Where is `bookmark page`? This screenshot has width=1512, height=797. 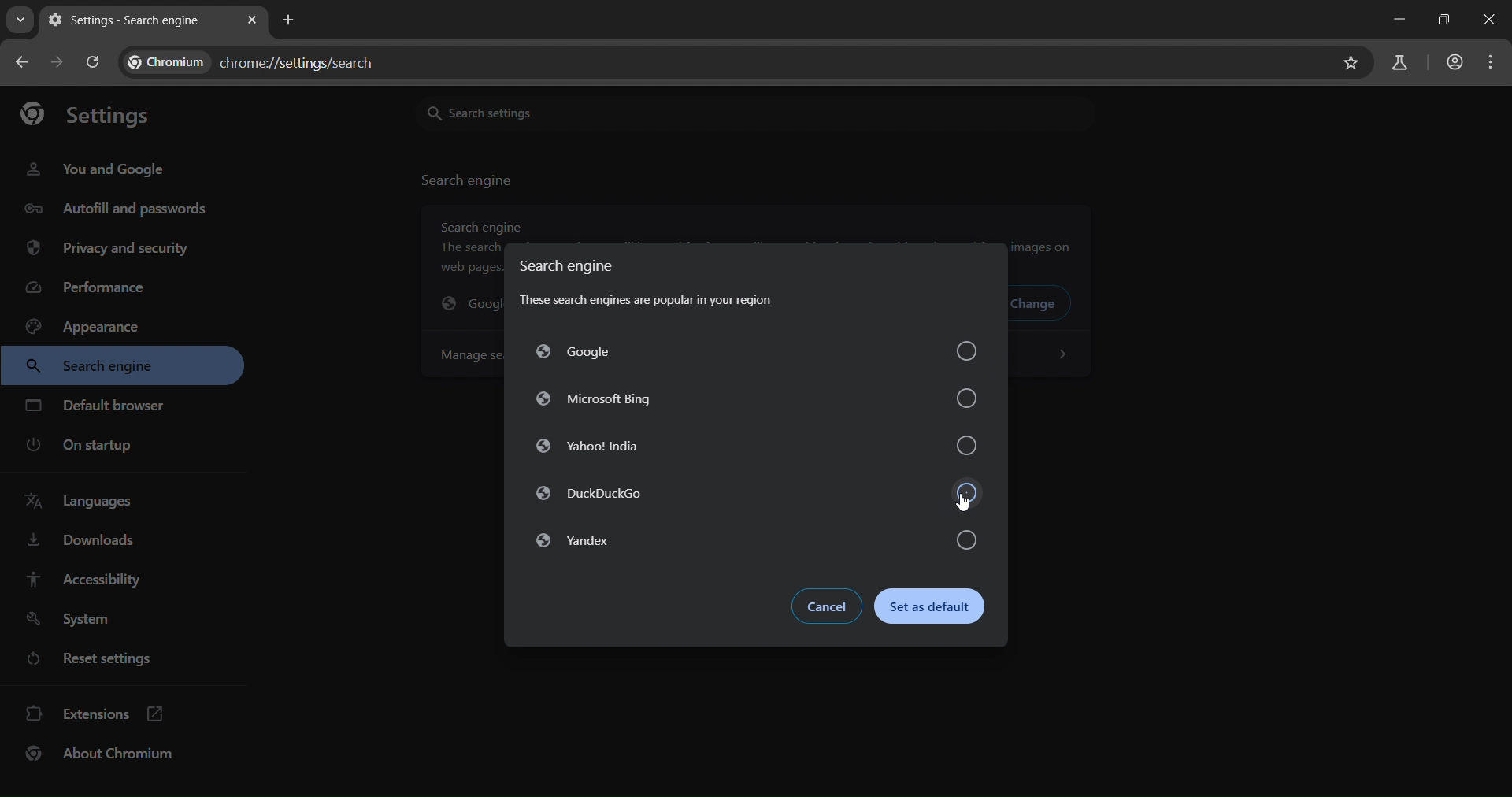 bookmark page is located at coordinates (1352, 62).